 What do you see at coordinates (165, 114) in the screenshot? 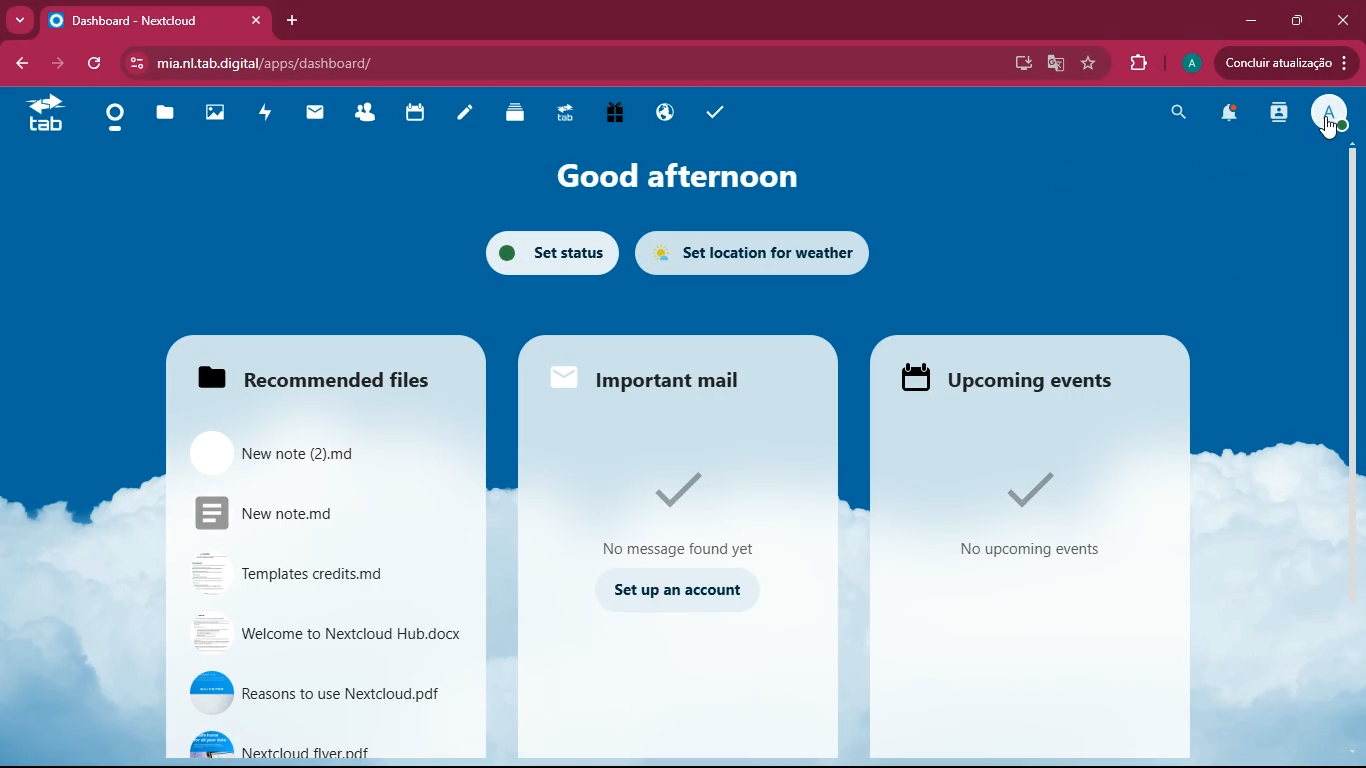
I see `files` at bounding box center [165, 114].